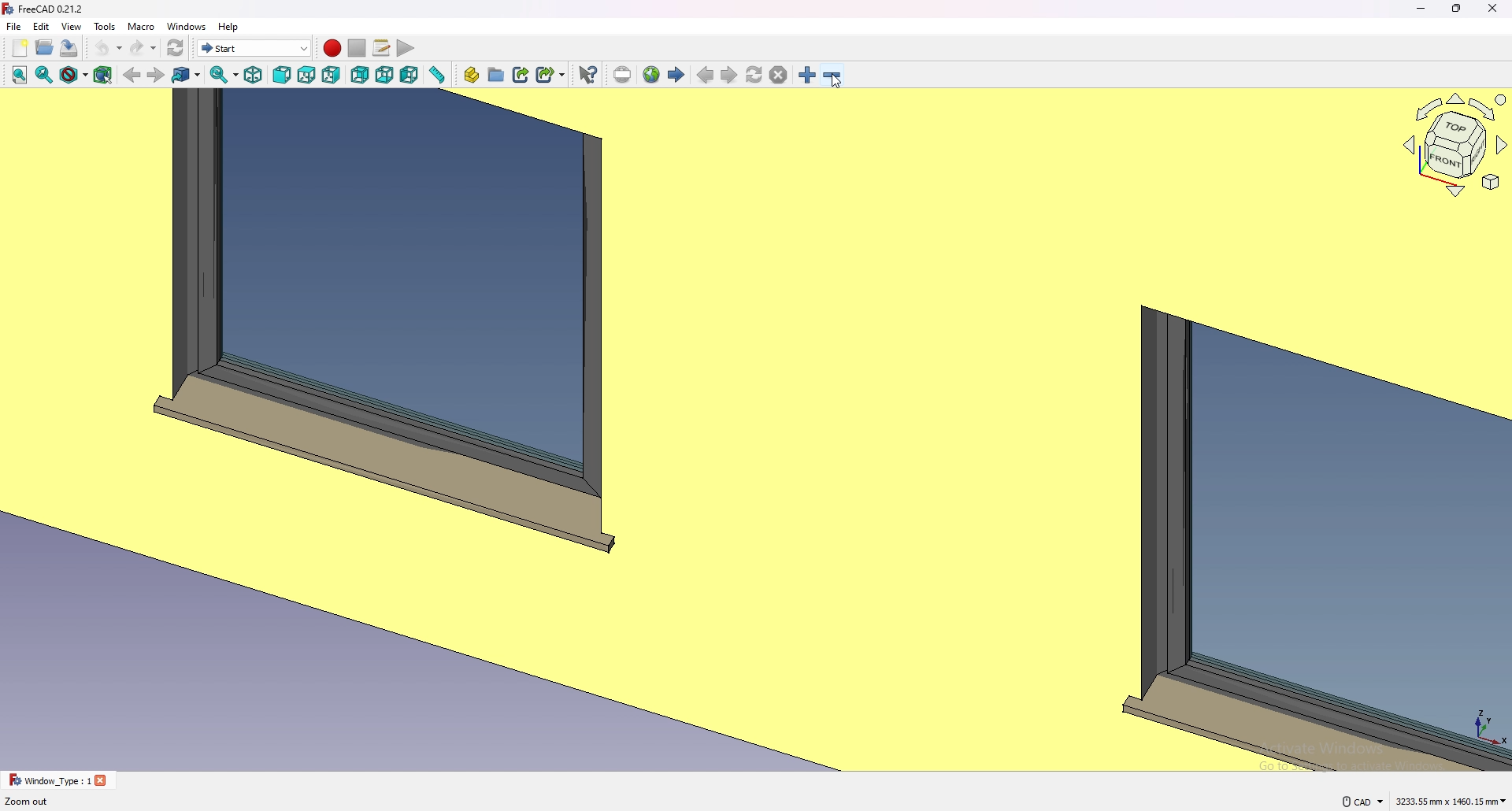 The height and width of the screenshot is (811, 1512). What do you see at coordinates (1453, 144) in the screenshot?
I see `axis indicator` at bounding box center [1453, 144].